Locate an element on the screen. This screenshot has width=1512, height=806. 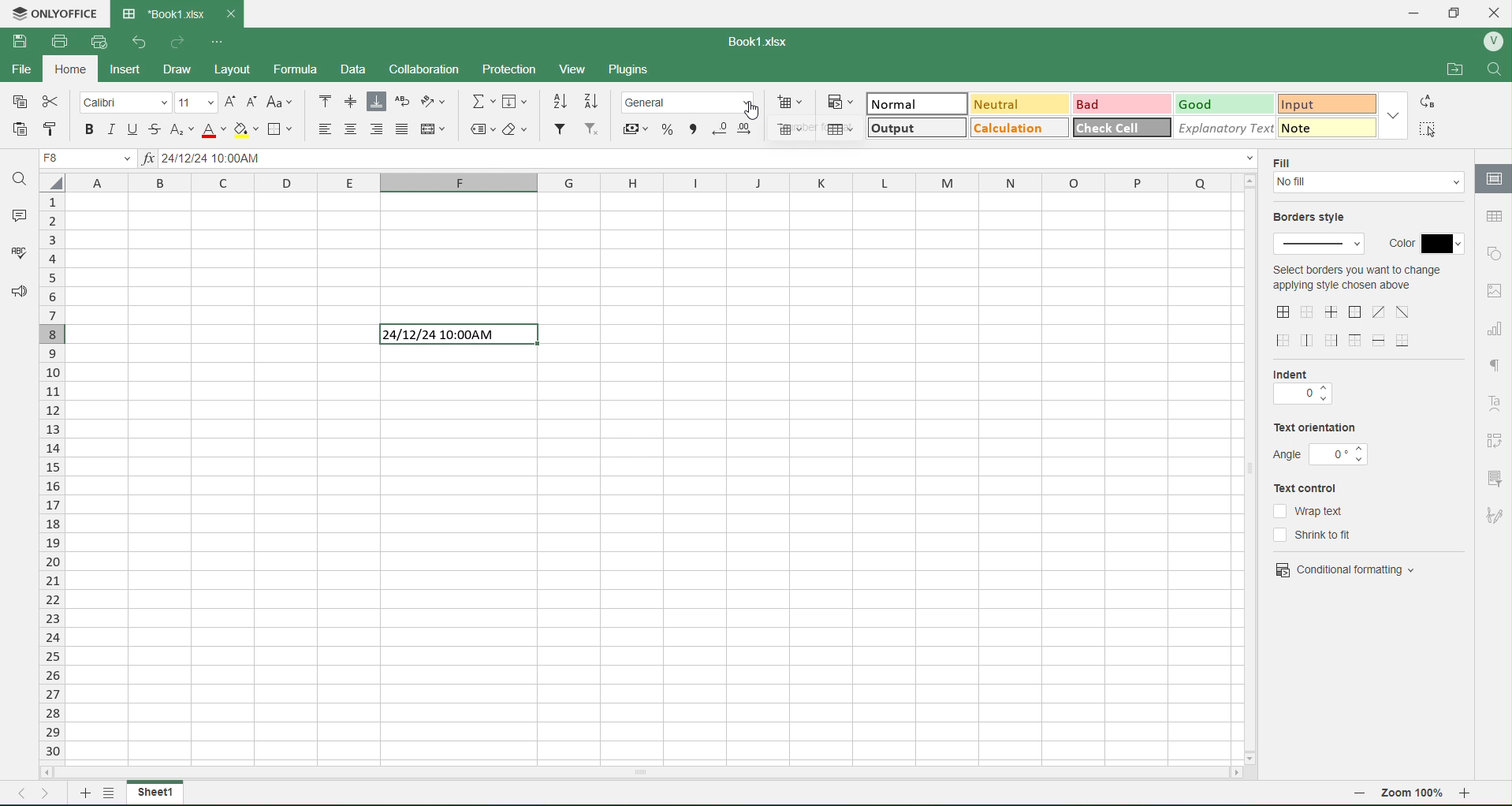
Justified is located at coordinates (403, 129).